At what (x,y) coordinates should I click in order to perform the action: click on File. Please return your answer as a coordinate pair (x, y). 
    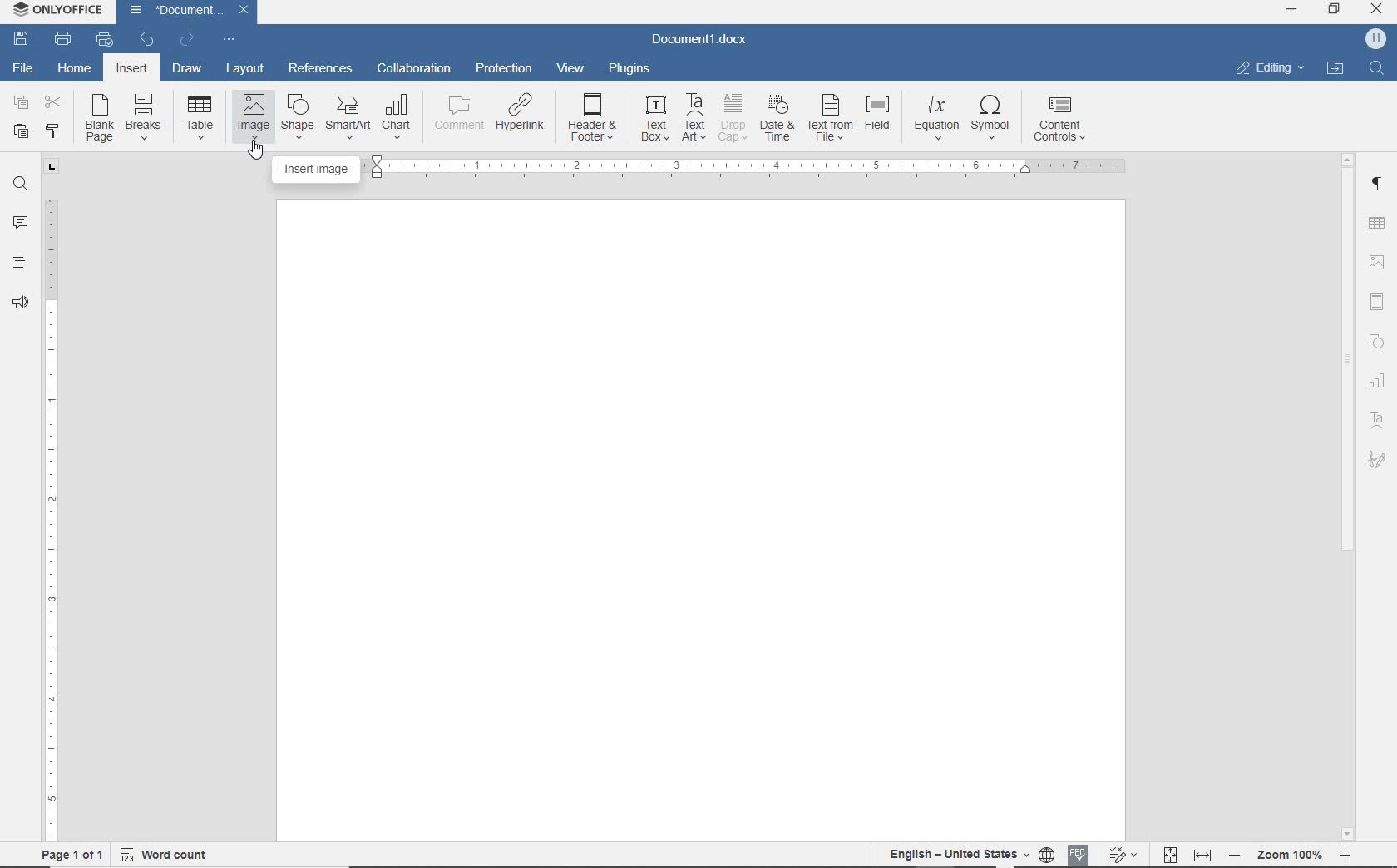
    Looking at the image, I should click on (23, 67).